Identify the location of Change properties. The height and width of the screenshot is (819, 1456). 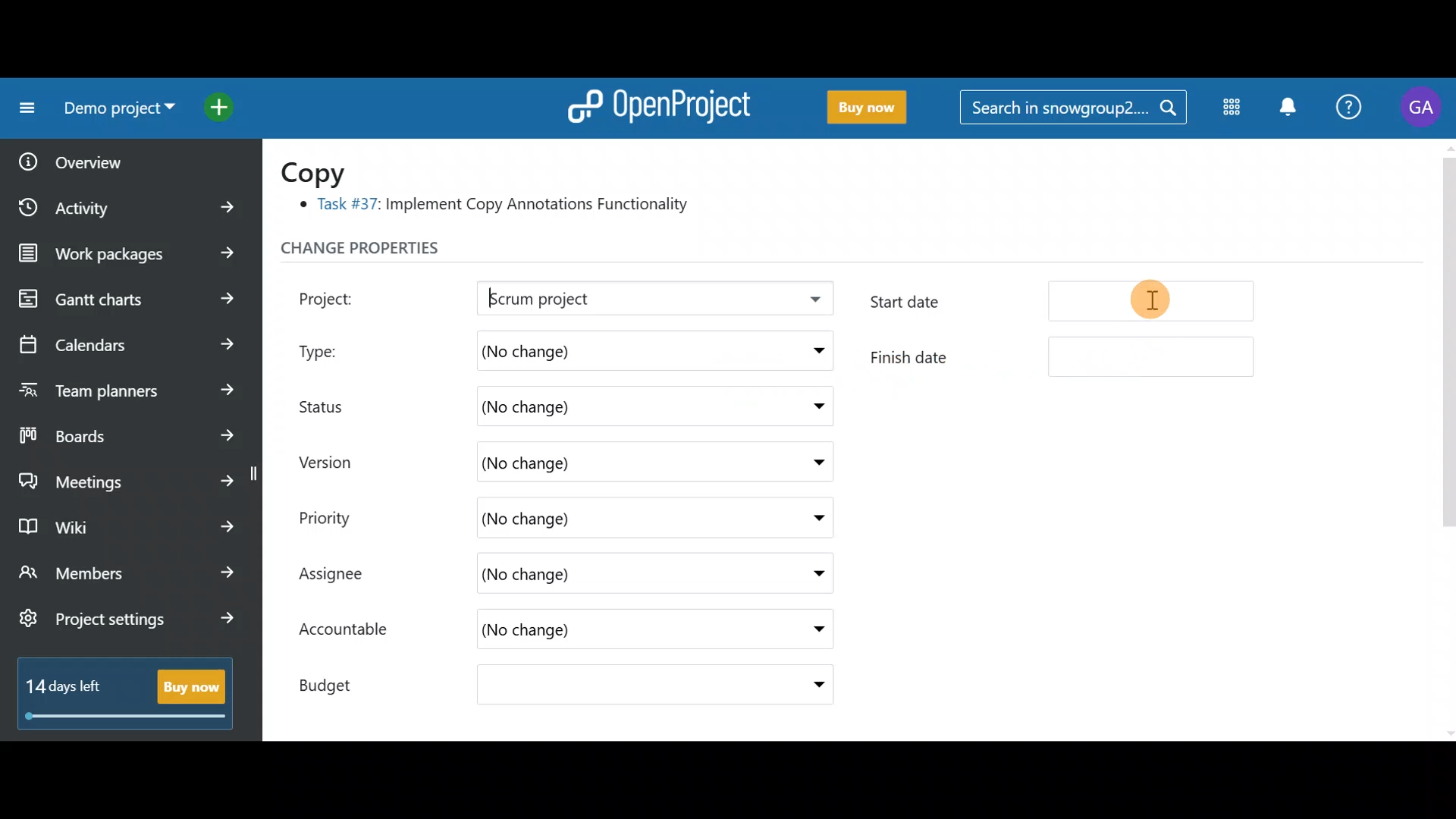
(391, 252).